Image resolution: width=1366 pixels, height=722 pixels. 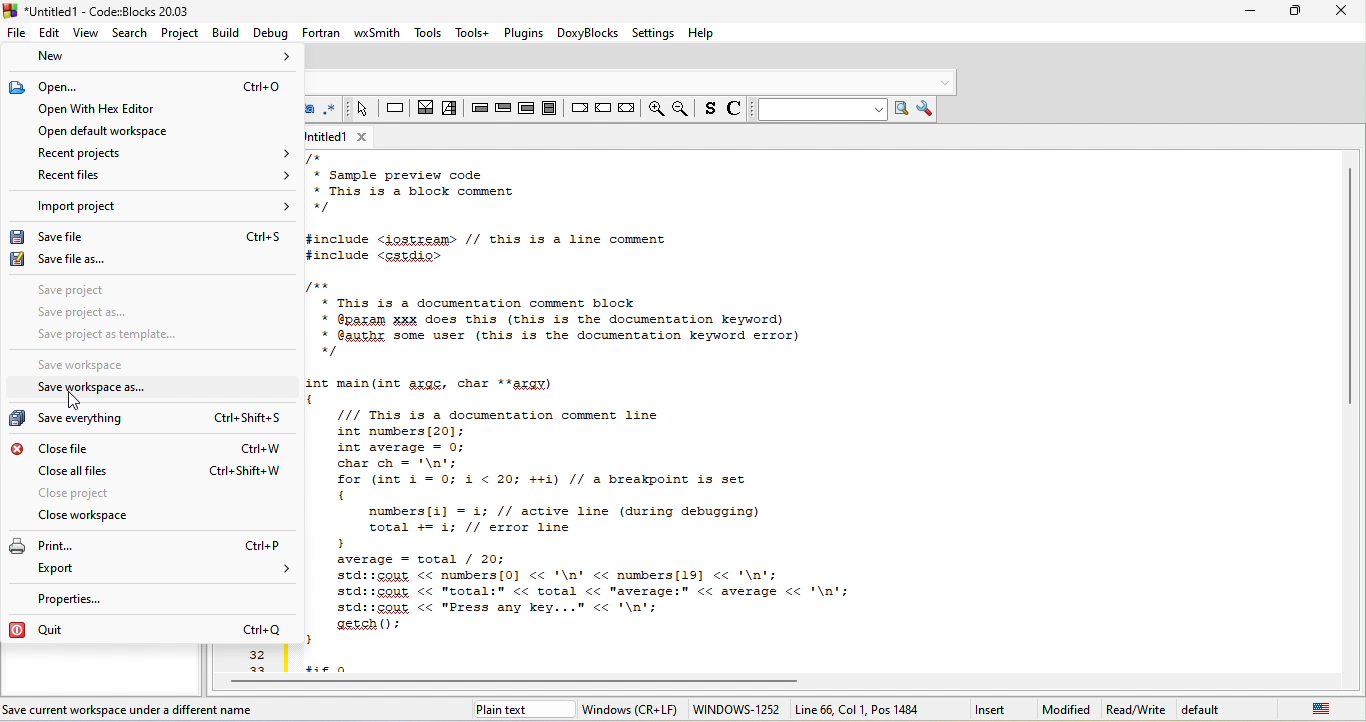 I want to click on help, so click(x=702, y=33).